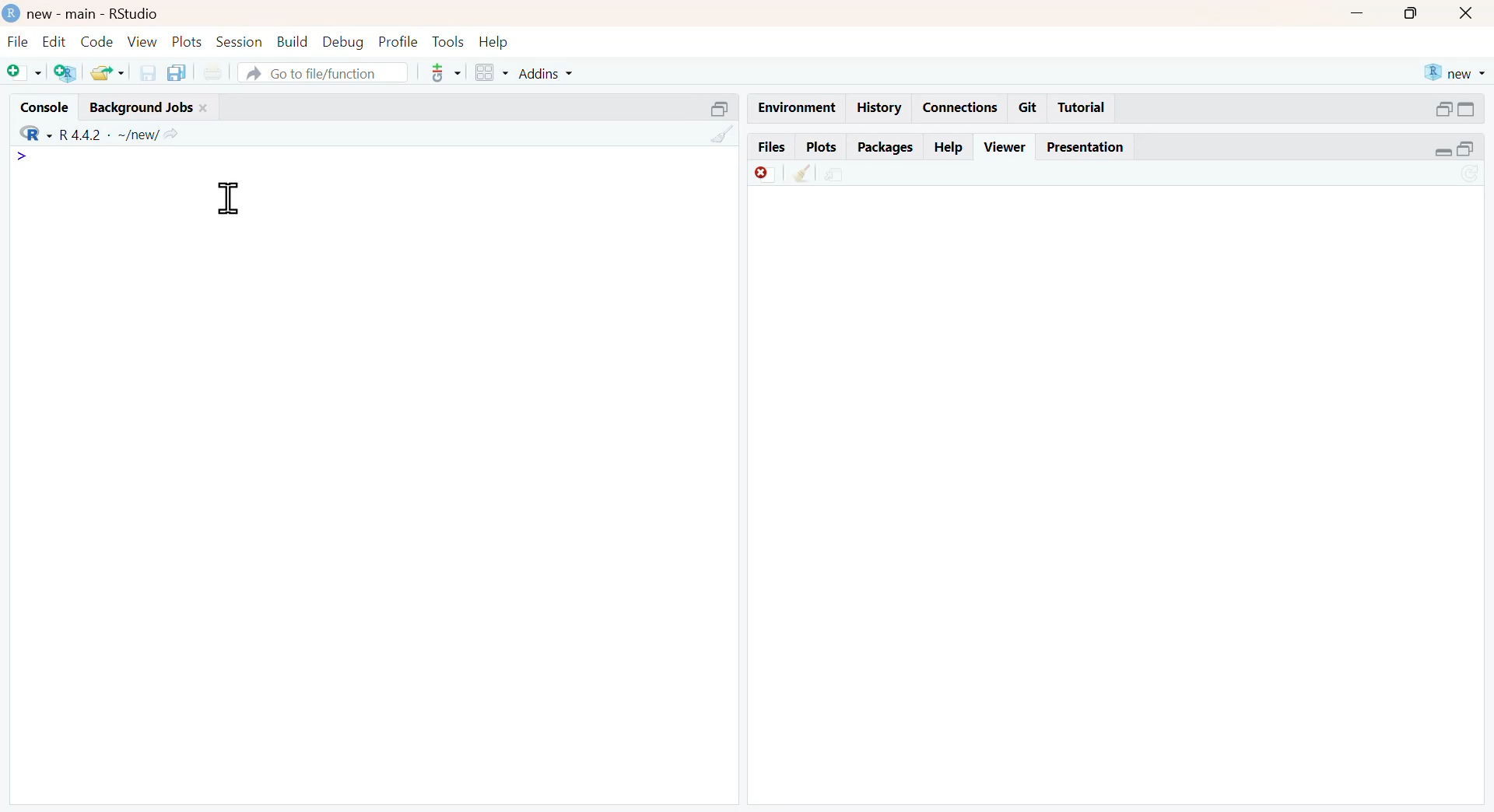 This screenshot has width=1494, height=812. What do you see at coordinates (950, 147) in the screenshot?
I see `help` at bounding box center [950, 147].